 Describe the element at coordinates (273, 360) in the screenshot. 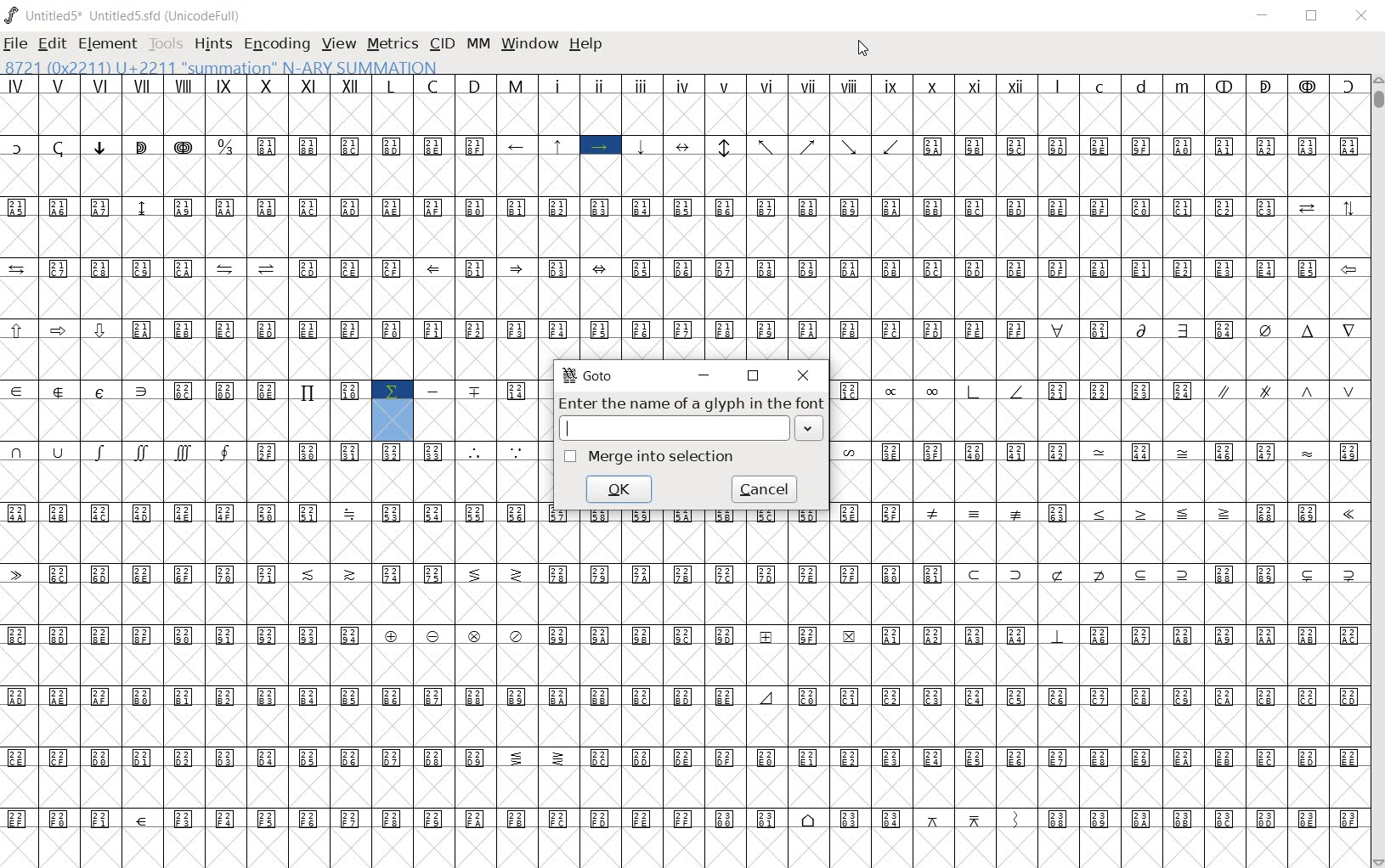

I see `empty cells` at that location.